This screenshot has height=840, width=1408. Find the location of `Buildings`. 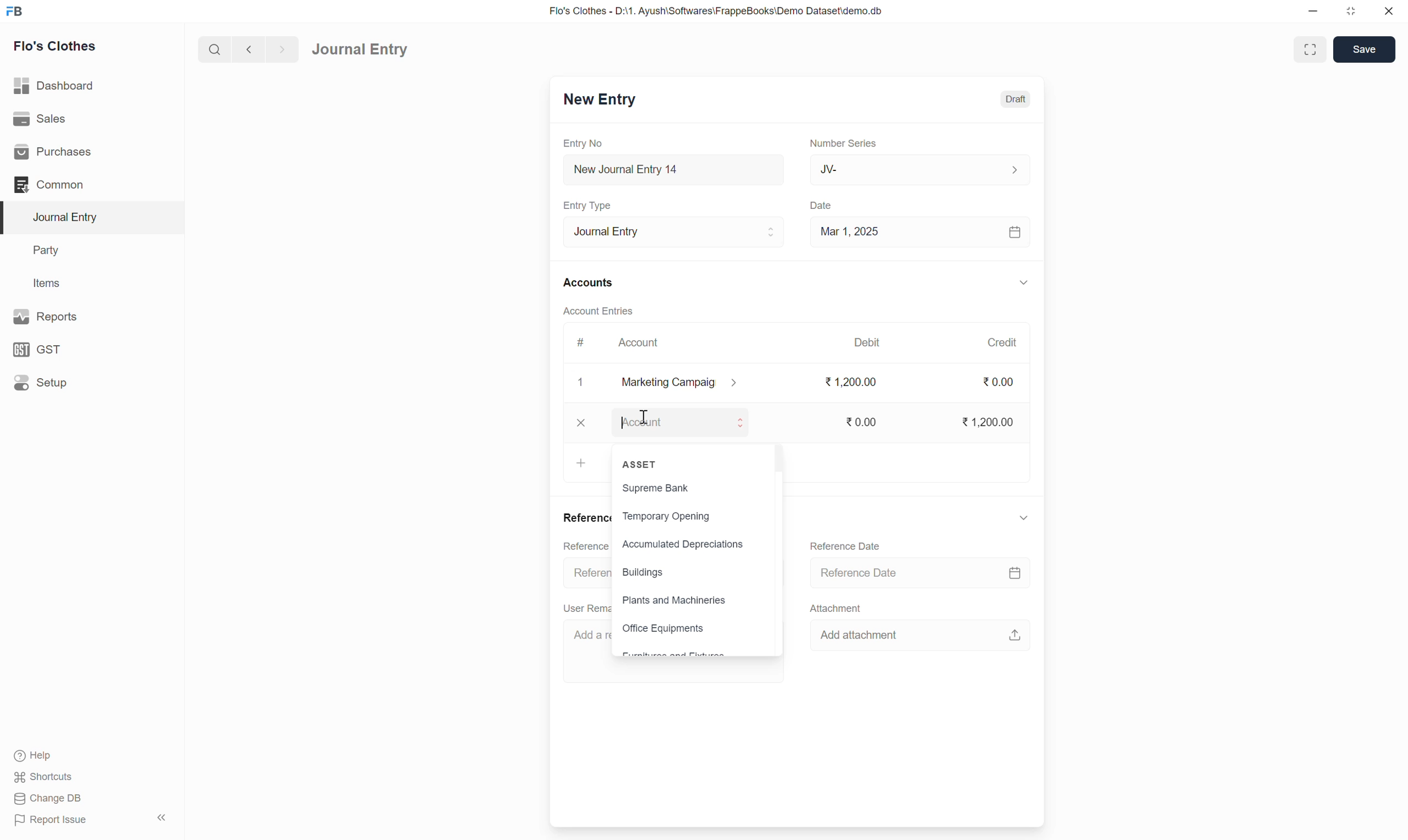

Buildings is located at coordinates (646, 573).